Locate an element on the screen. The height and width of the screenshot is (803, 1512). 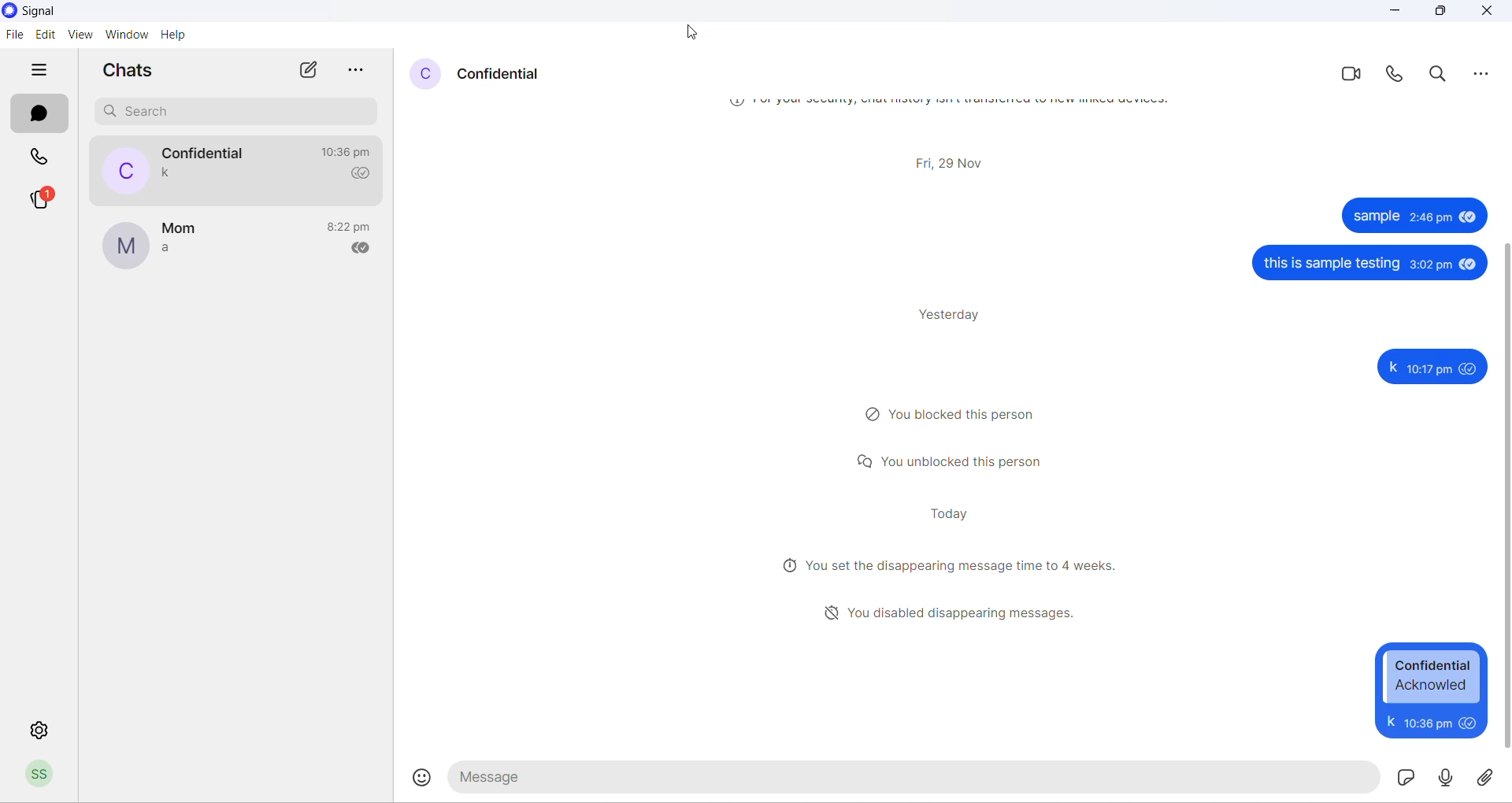
disappearing message notification is located at coordinates (951, 564).